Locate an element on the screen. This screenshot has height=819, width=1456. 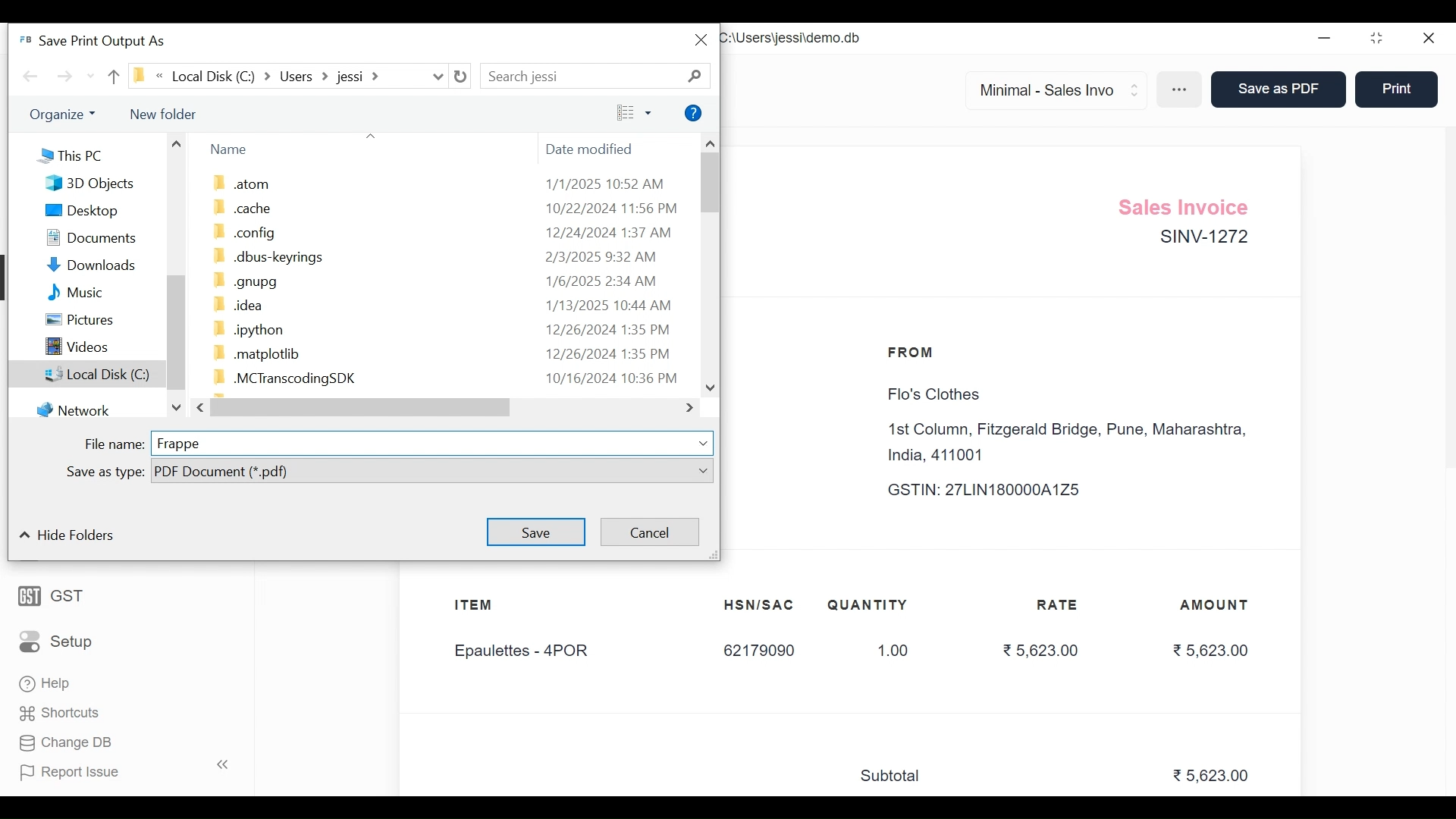
PDF Document (*pdf) is located at coordinates (419, 469).